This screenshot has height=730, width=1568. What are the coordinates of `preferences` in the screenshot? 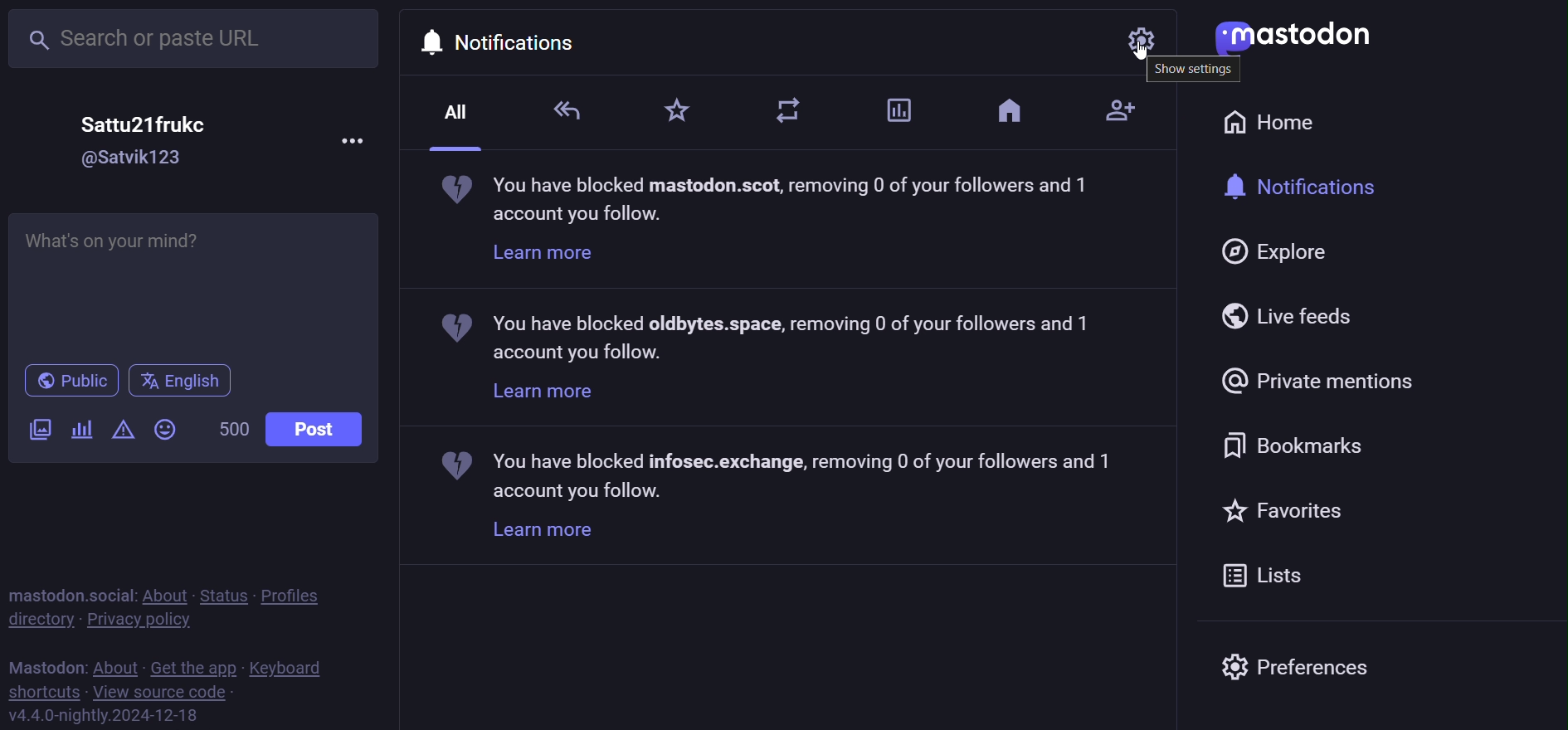 It's located at (1297, 671).